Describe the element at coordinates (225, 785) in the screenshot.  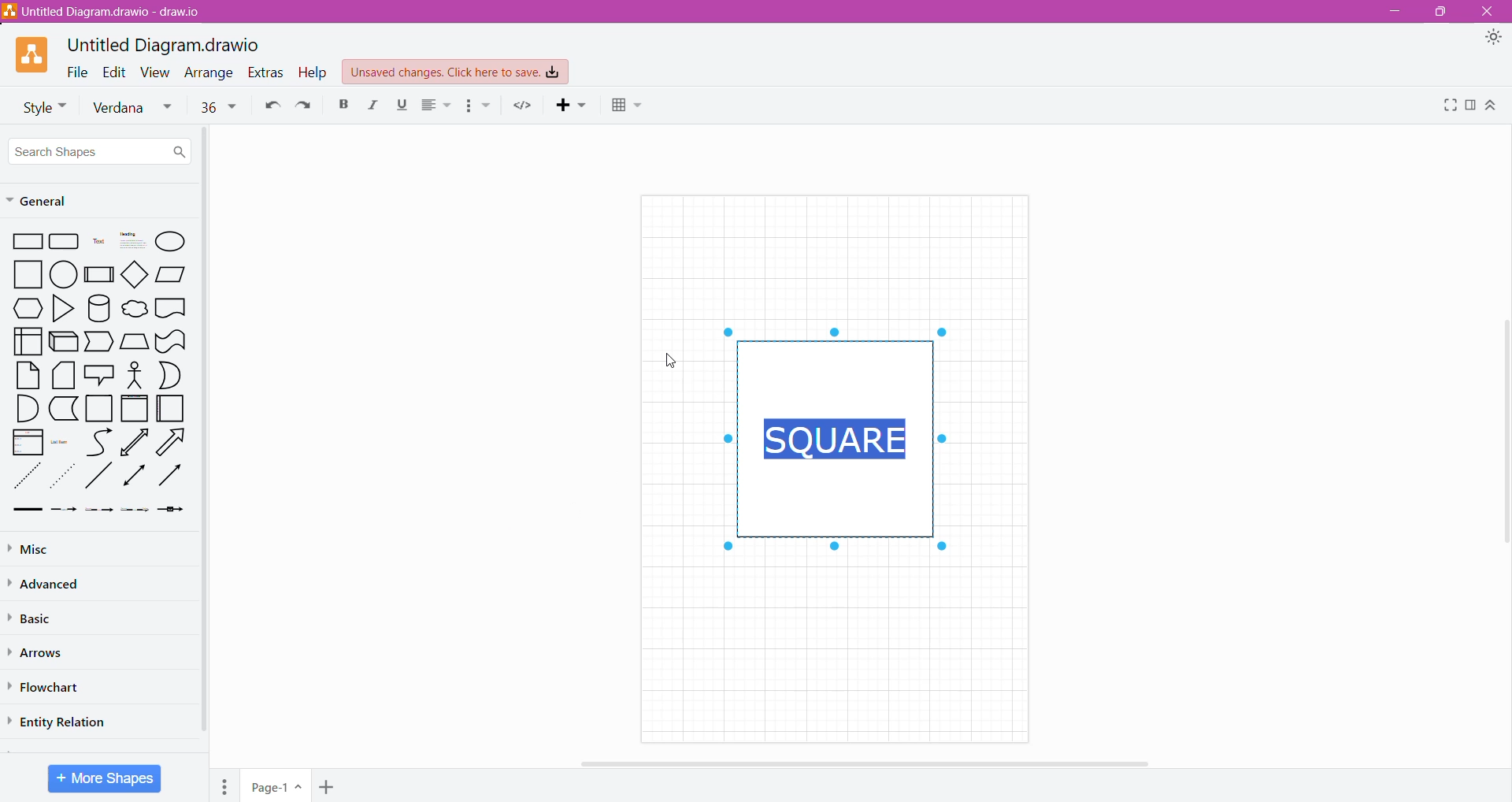
I see `Pages` at that location.